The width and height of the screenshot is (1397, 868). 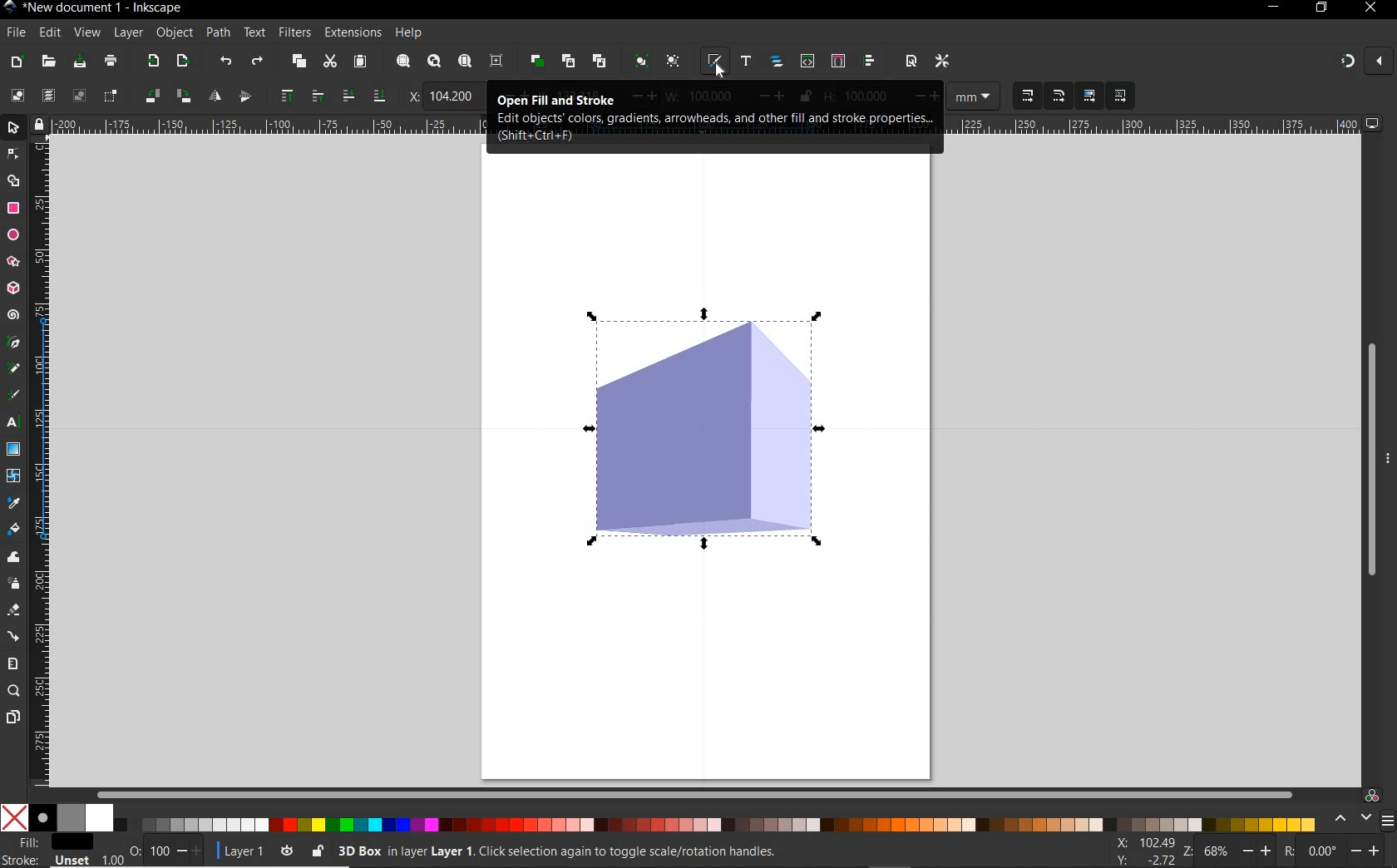 I want to click on ROTATION, so click(x=1287, y=851).